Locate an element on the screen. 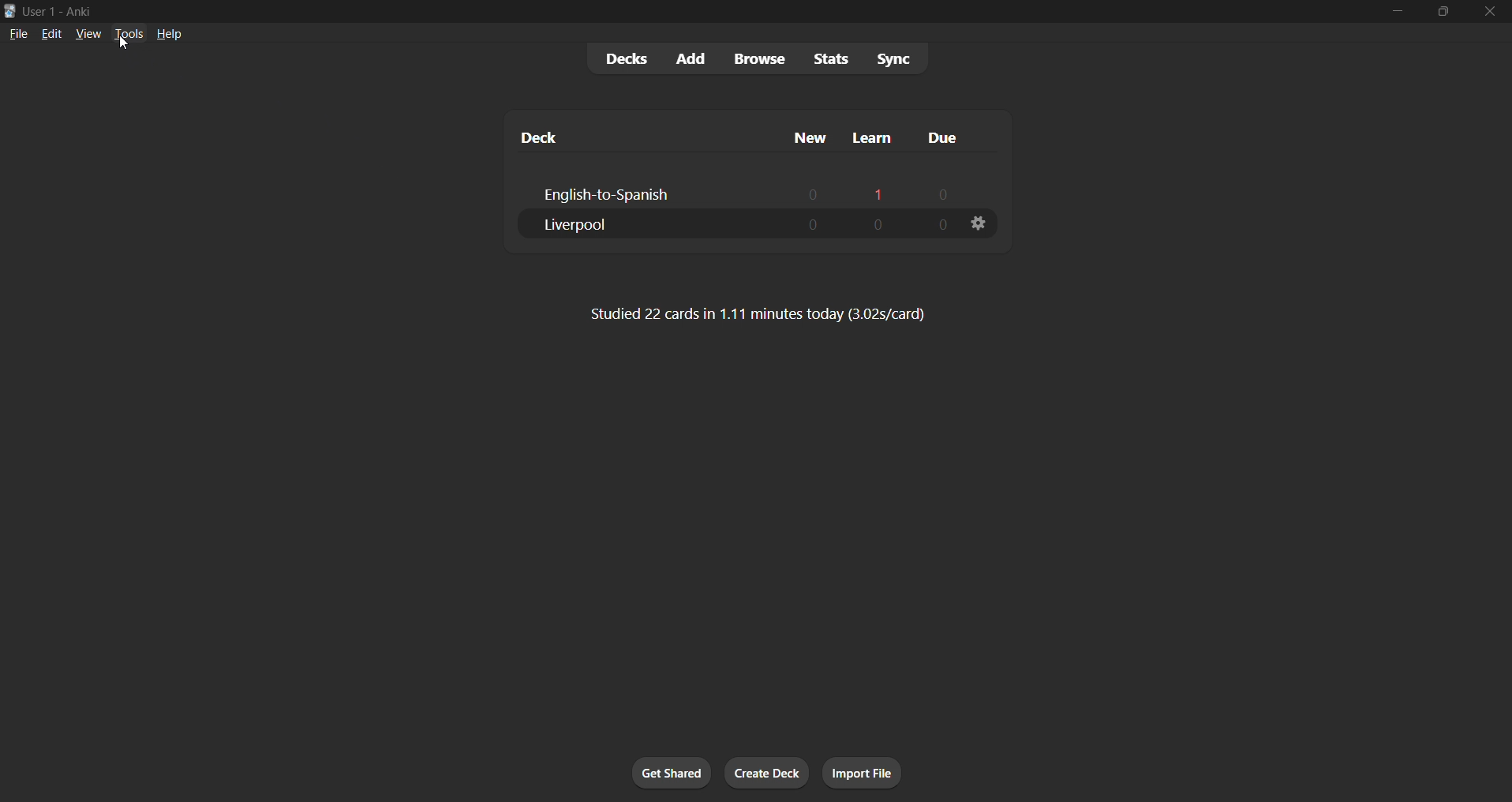 Image resolution: width=1512 pixels, height=802 pixels. Studied 22 cards in 1.11 minutes today (3.02s/card) is located at coordinates (766, 313).